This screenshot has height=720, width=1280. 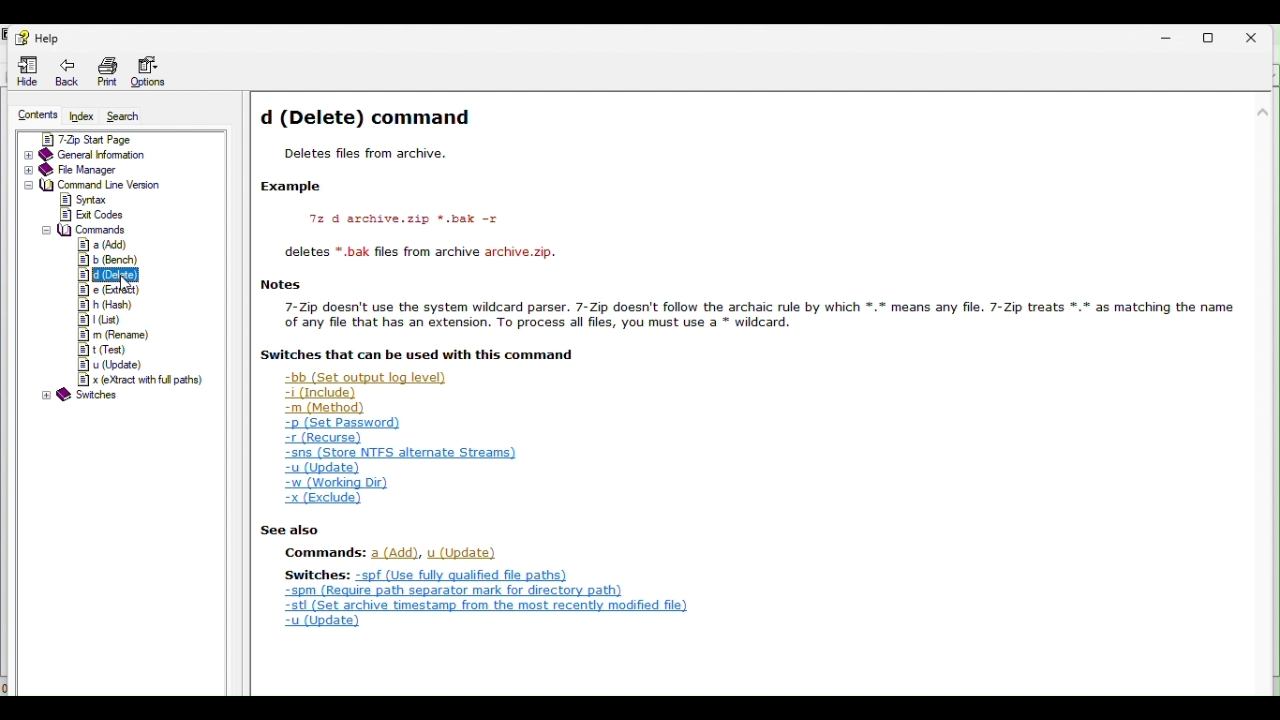 What do you see at coordinates (292, 188) in the screenshot?
I see `Example` at bounding box center [292, 188].